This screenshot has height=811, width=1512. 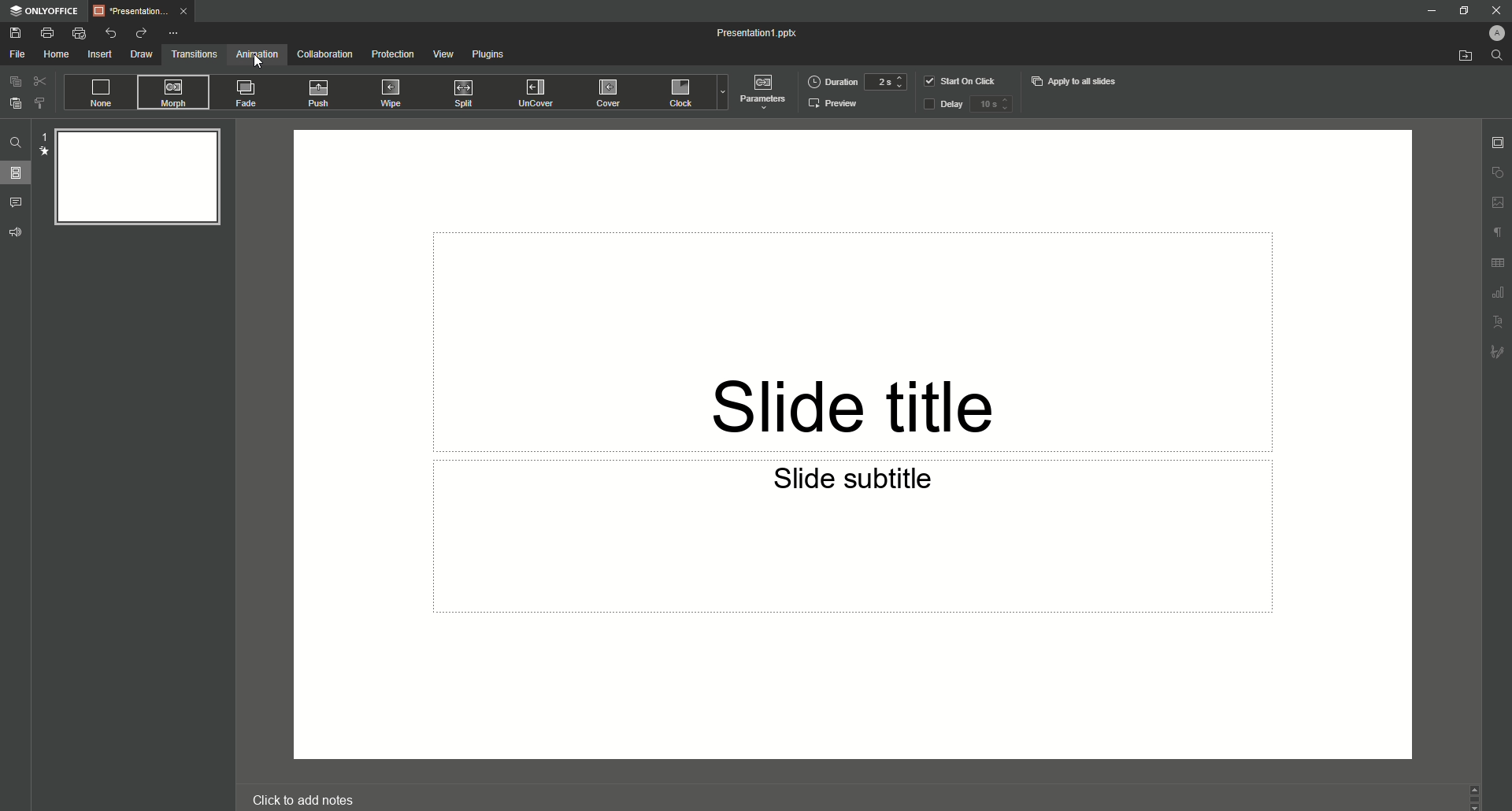 I want to click on Apply to all slides, so click(x=1077, y=80).